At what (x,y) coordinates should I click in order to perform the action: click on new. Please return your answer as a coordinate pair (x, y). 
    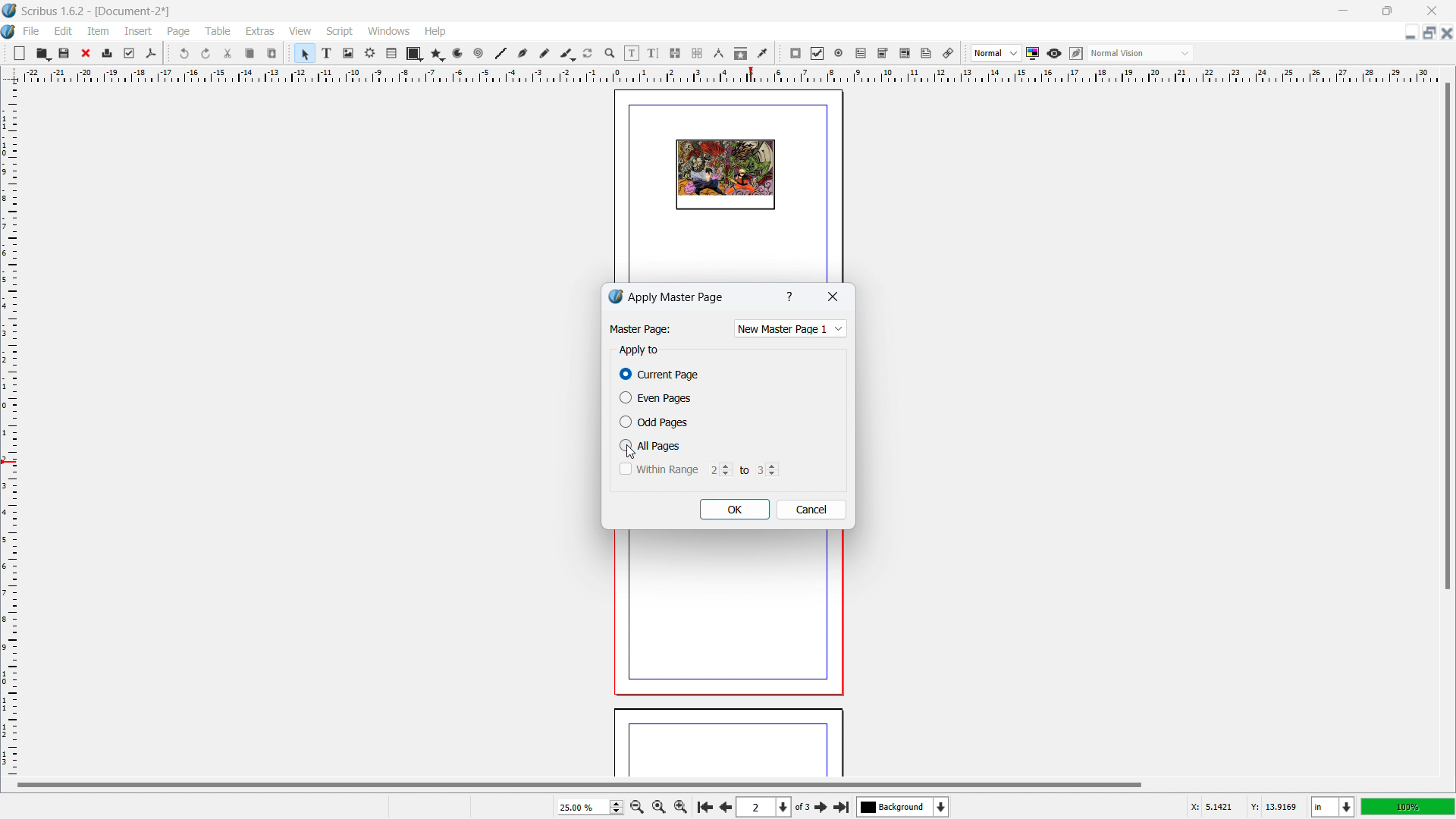
    Looking at the image, I should click on (20, 53).